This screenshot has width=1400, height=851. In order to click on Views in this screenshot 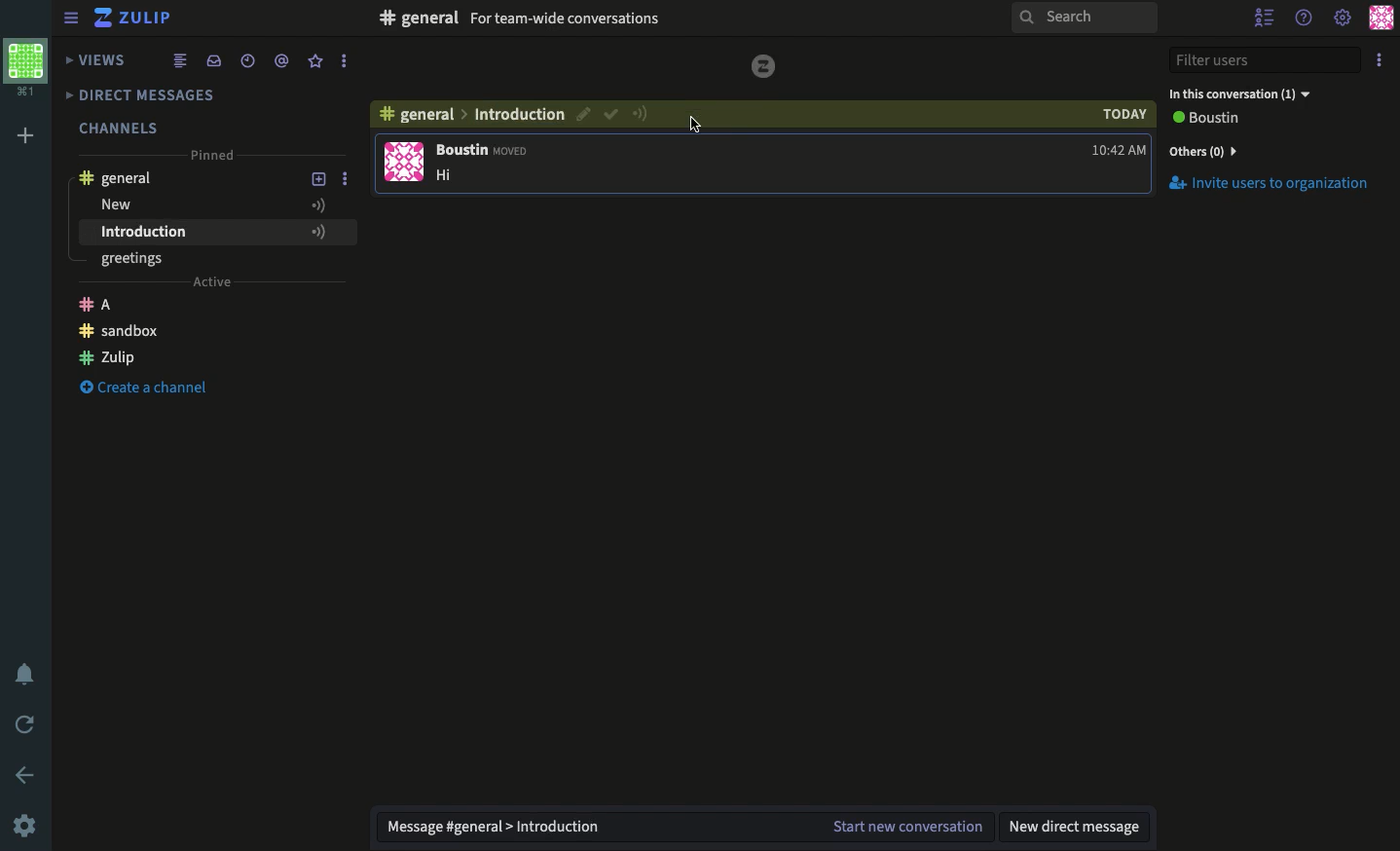, I will do `click(97, 57)`.